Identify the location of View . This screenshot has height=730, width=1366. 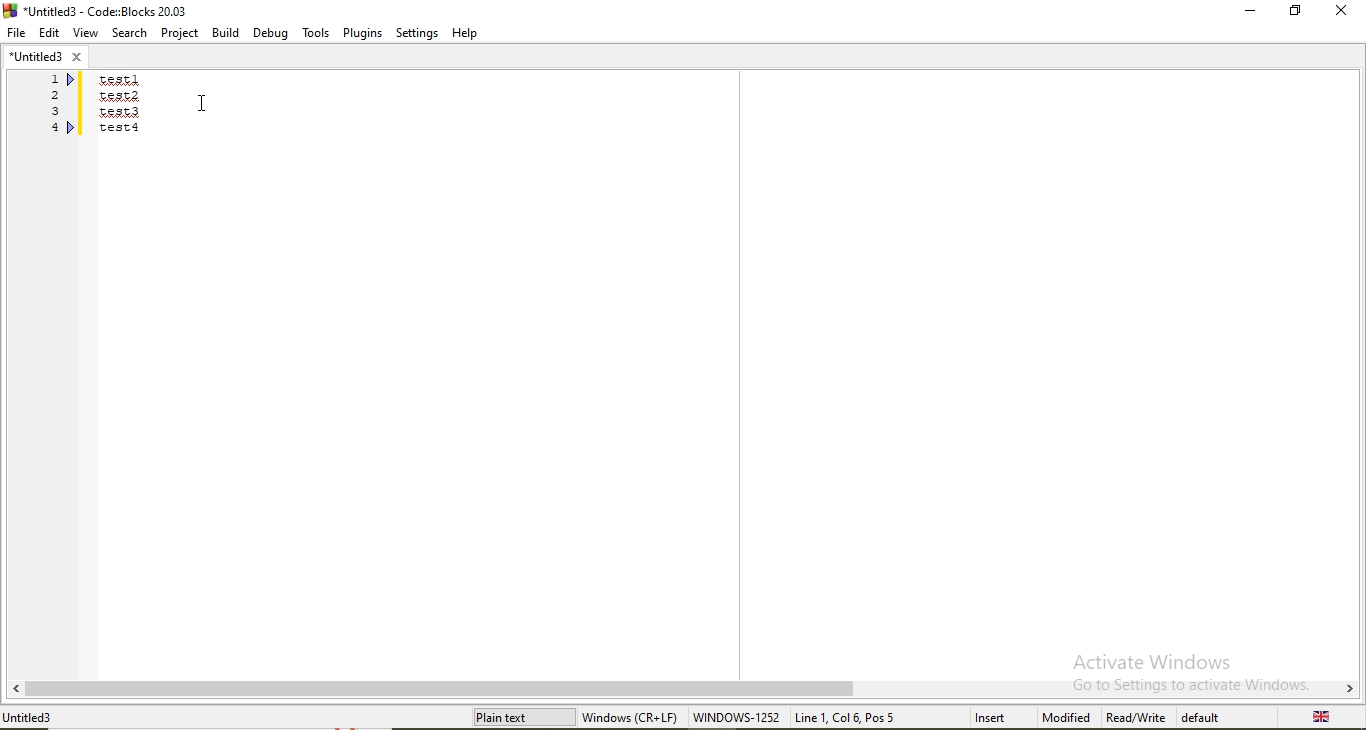
(83, 32).